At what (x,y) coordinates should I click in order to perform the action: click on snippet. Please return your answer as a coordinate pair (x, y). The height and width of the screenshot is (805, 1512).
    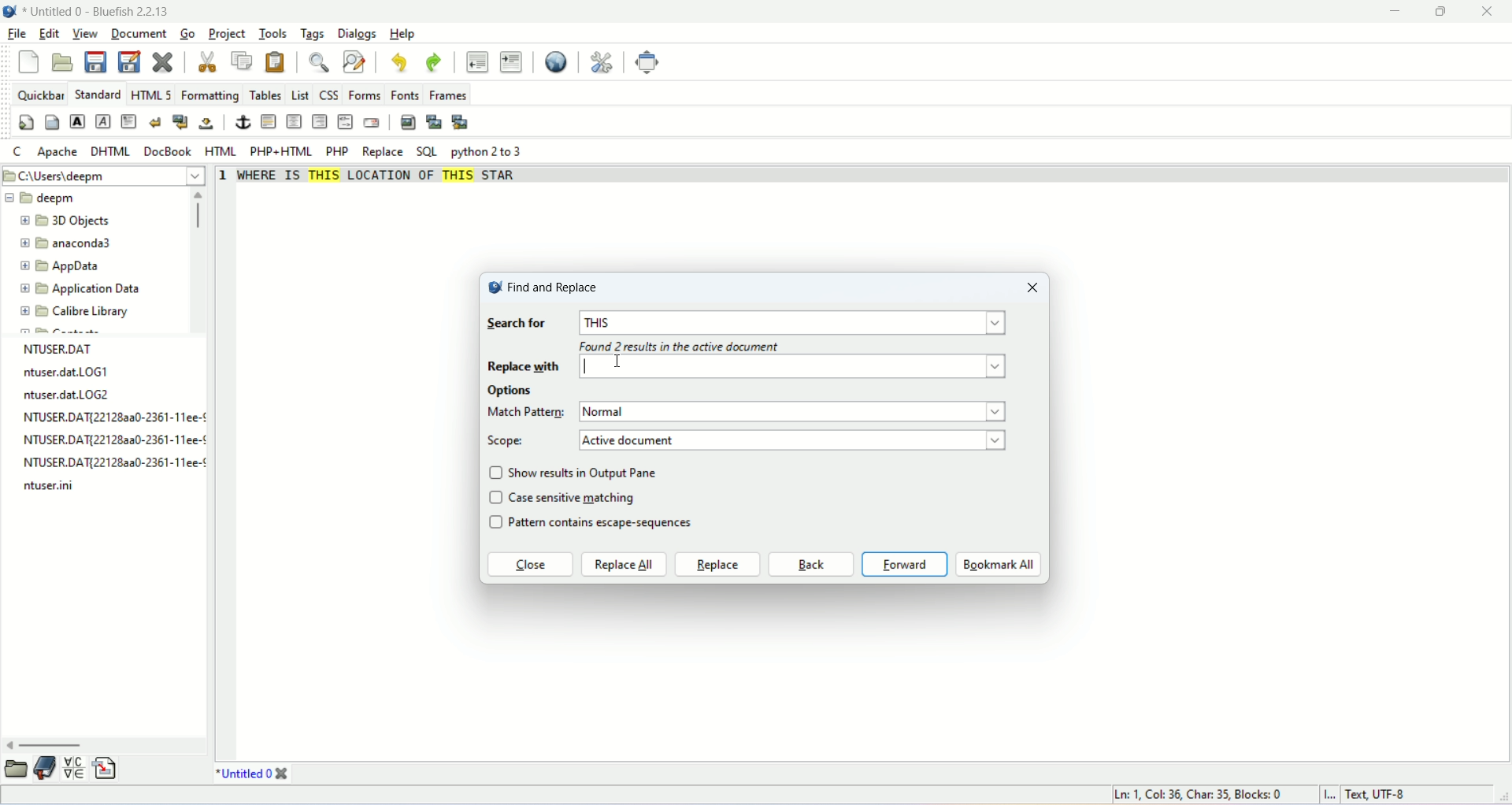
    Looking at the image, I should click on (103, 769).